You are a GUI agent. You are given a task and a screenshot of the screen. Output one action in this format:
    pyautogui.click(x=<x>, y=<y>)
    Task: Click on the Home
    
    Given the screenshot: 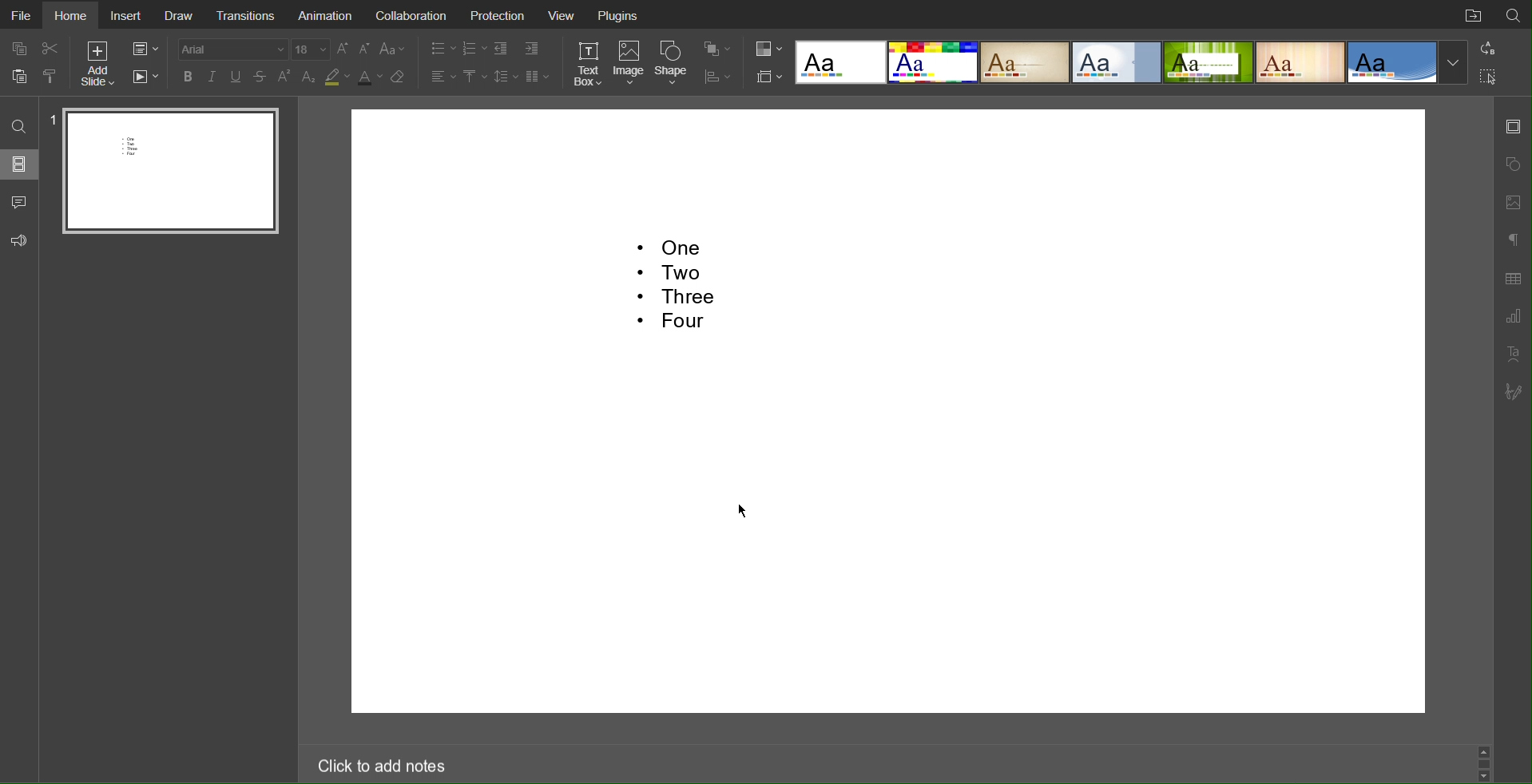 What is the action you would take?
    pyautogui.click(x=70, y=15)
    